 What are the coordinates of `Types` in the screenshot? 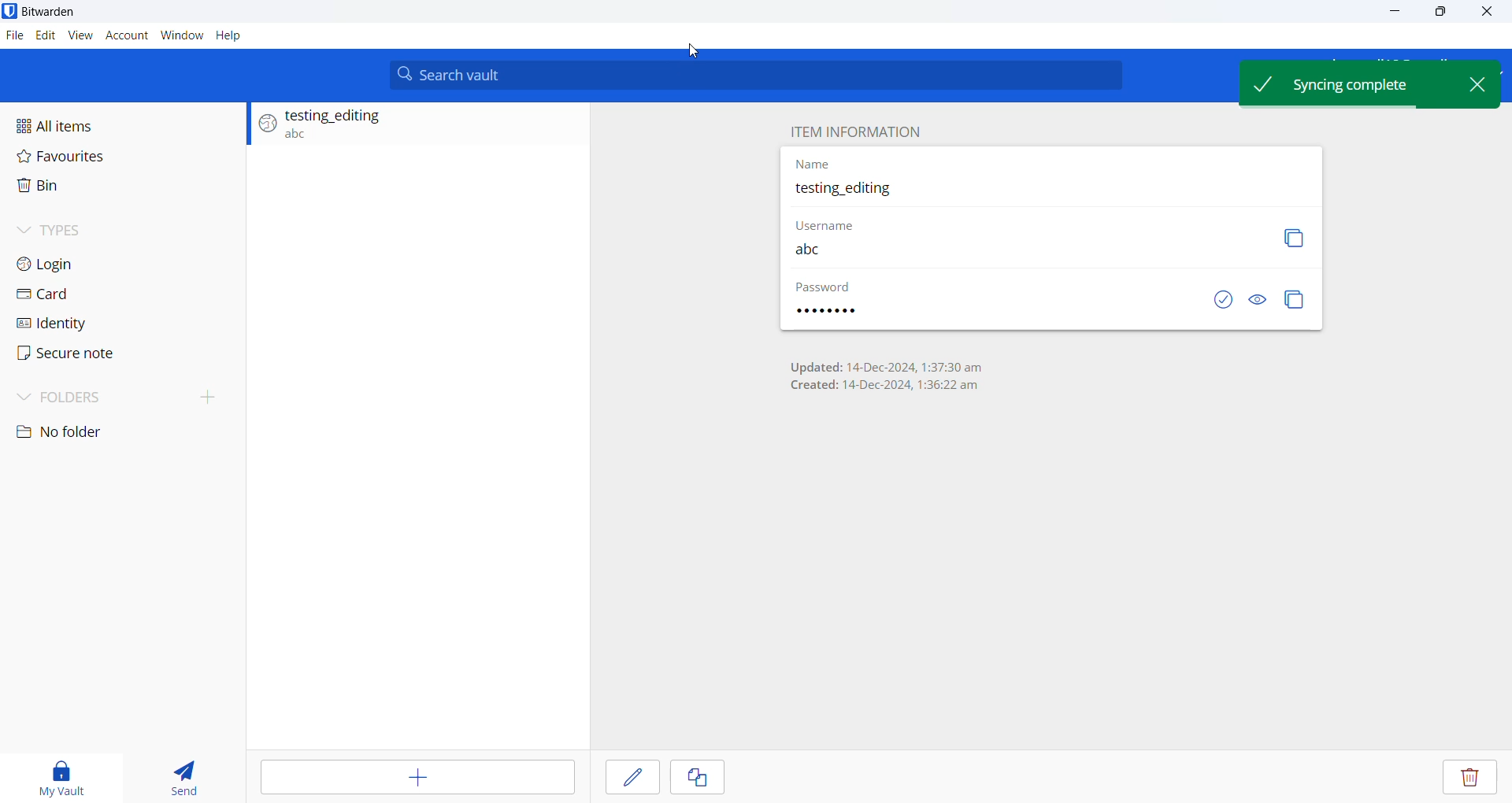 It's located at (116, 227).